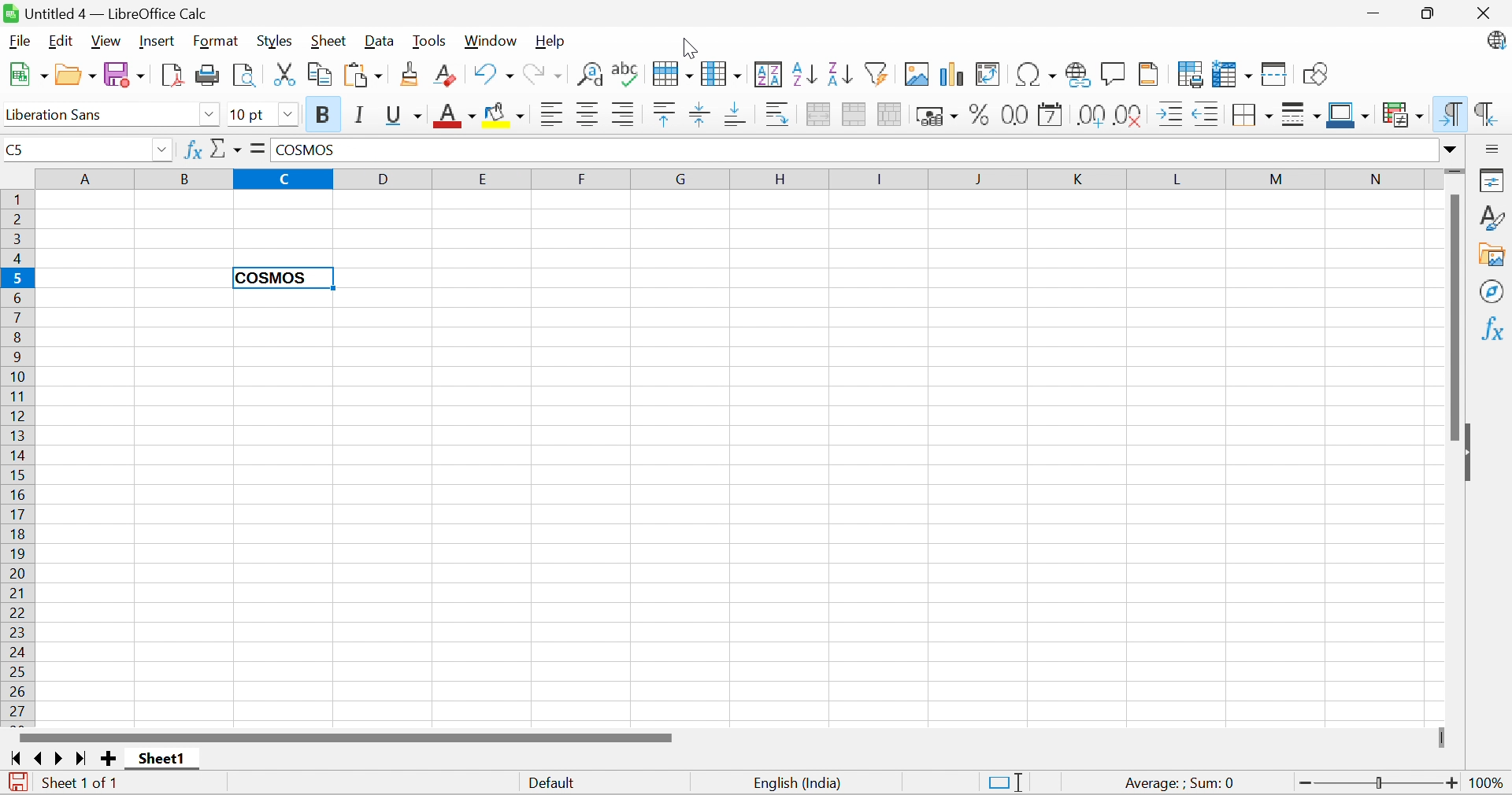  I want to click on The Document has modified. Click to save the document., so click(16, 782).